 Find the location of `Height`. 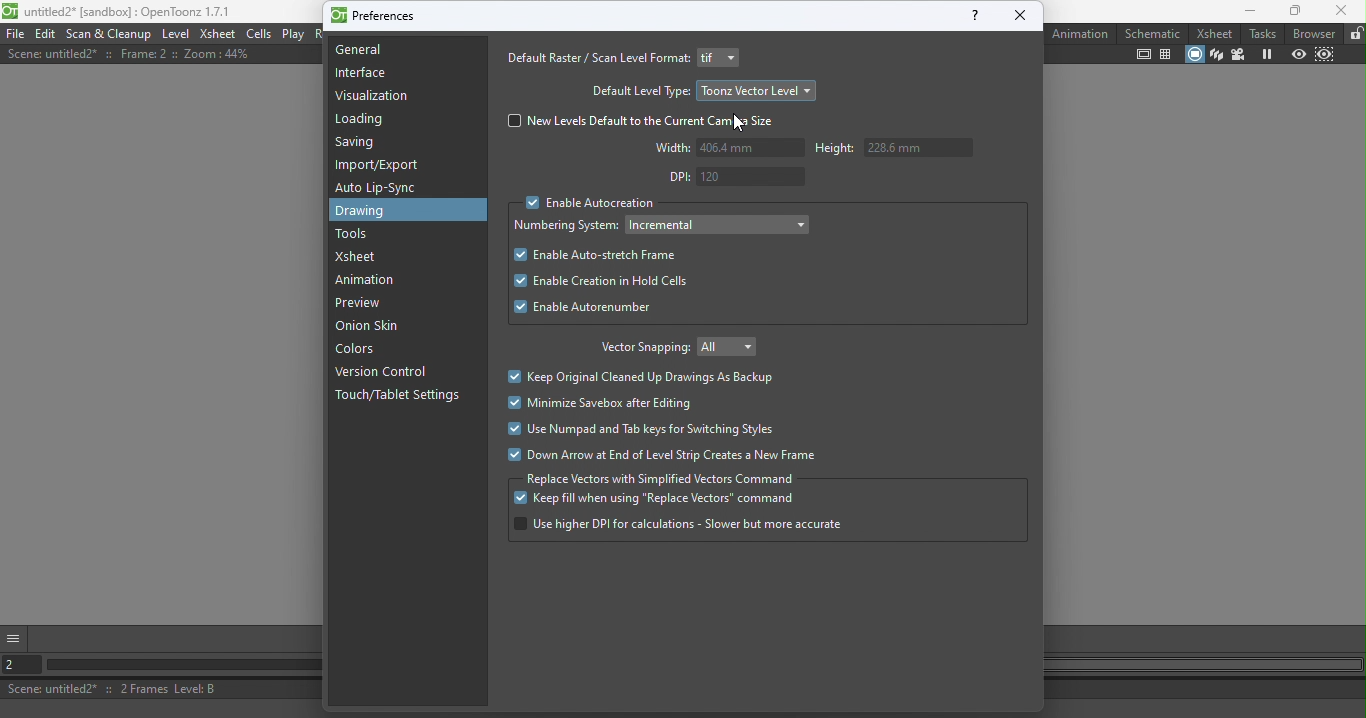

Height is located at coordinates (890, 148).